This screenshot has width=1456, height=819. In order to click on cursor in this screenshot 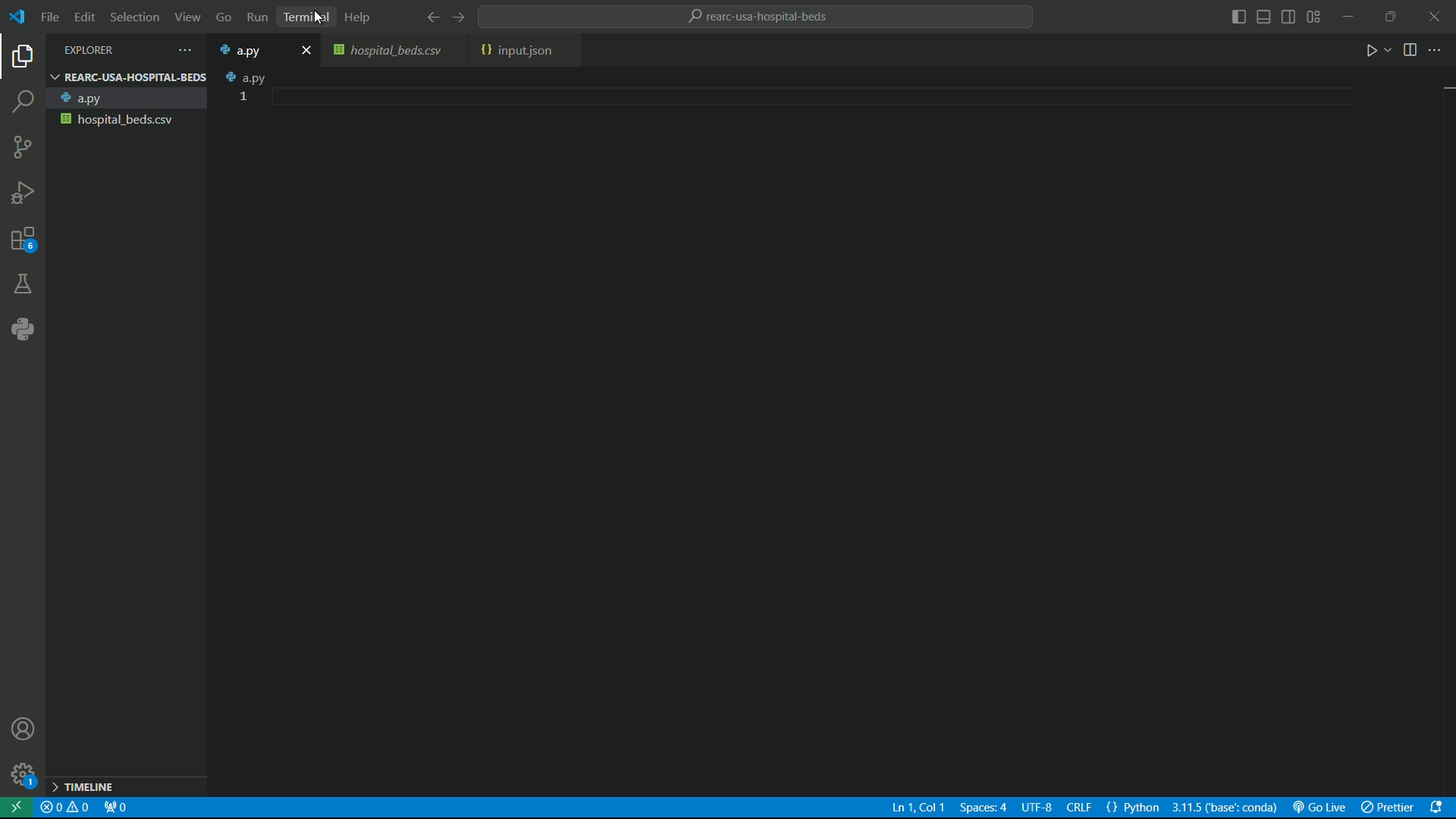, I will do `click(318, 19)`.